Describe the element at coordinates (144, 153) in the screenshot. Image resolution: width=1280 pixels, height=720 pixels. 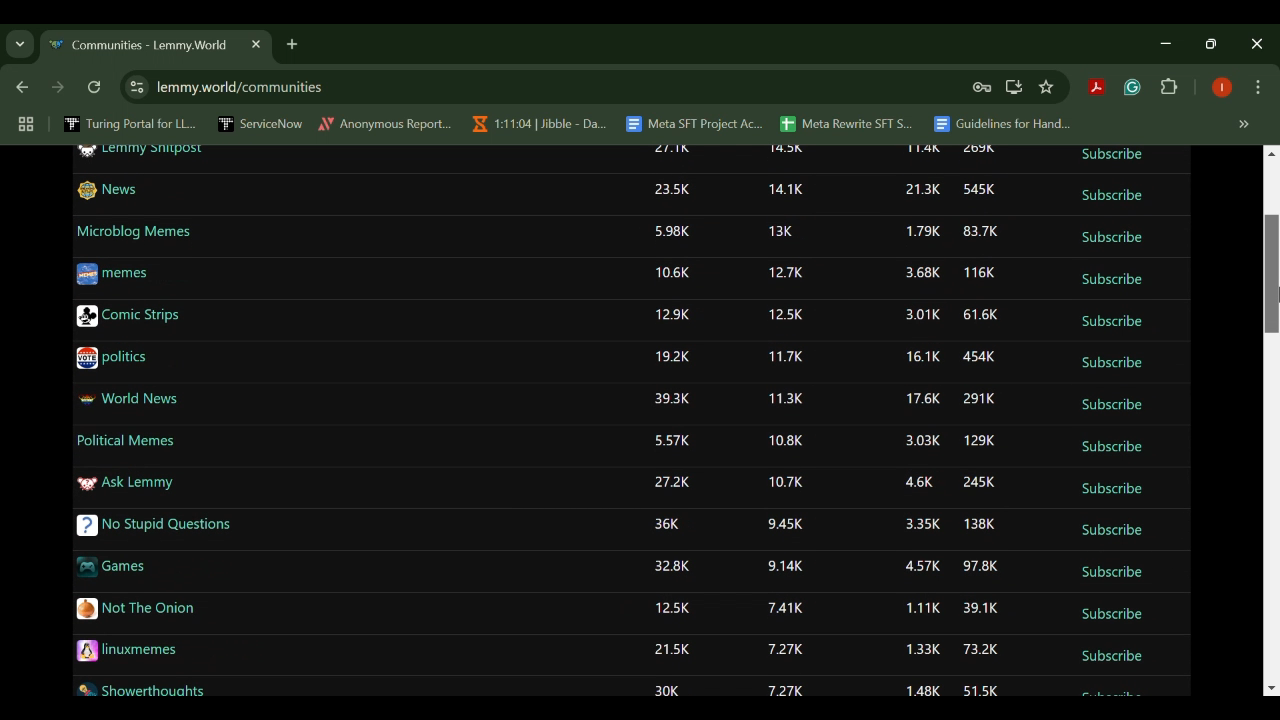
I see `Lemmy Shitpost` at that location.